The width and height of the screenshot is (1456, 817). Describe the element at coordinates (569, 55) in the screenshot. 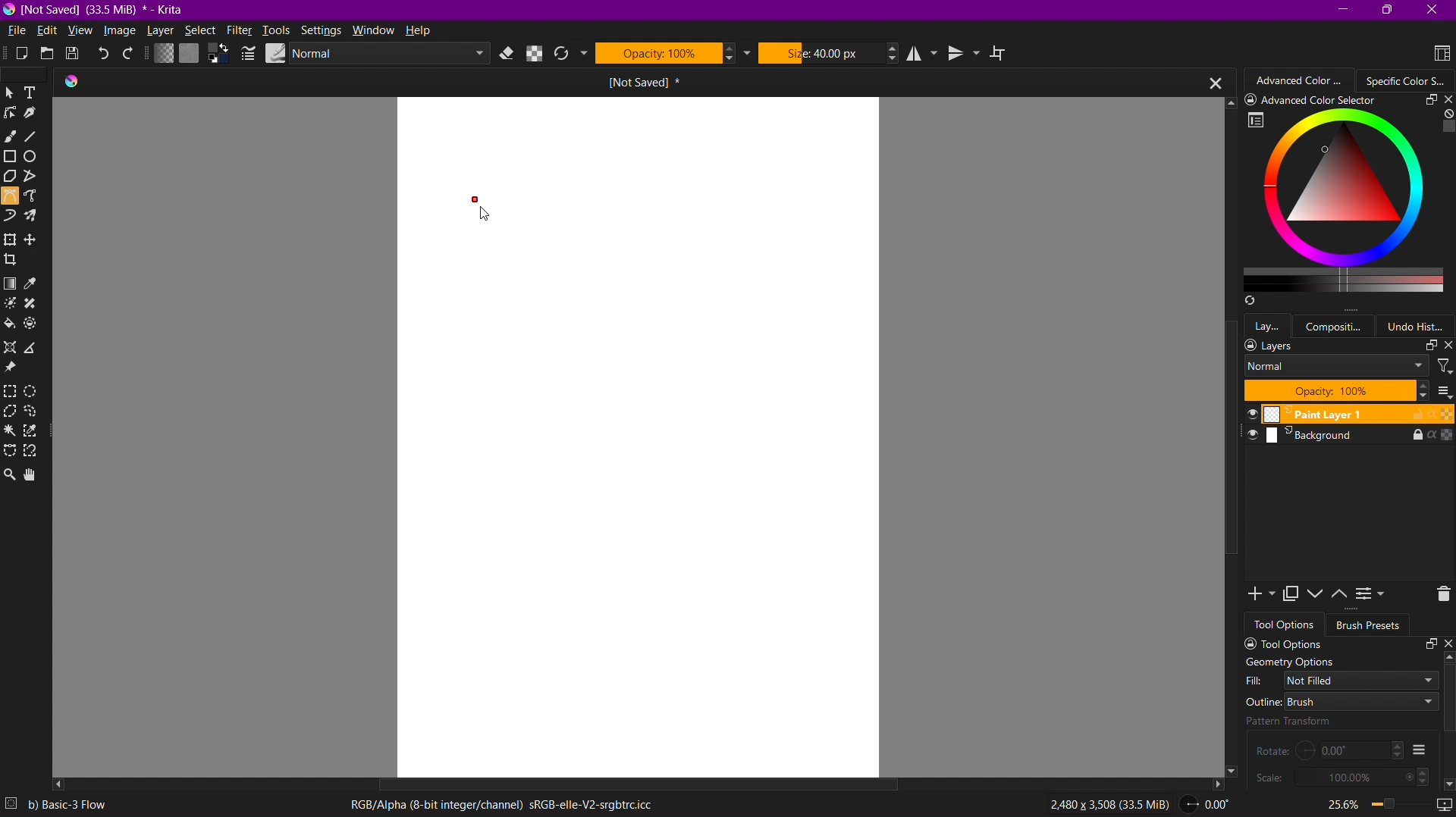

I see `Reload Original Preset` at that location.